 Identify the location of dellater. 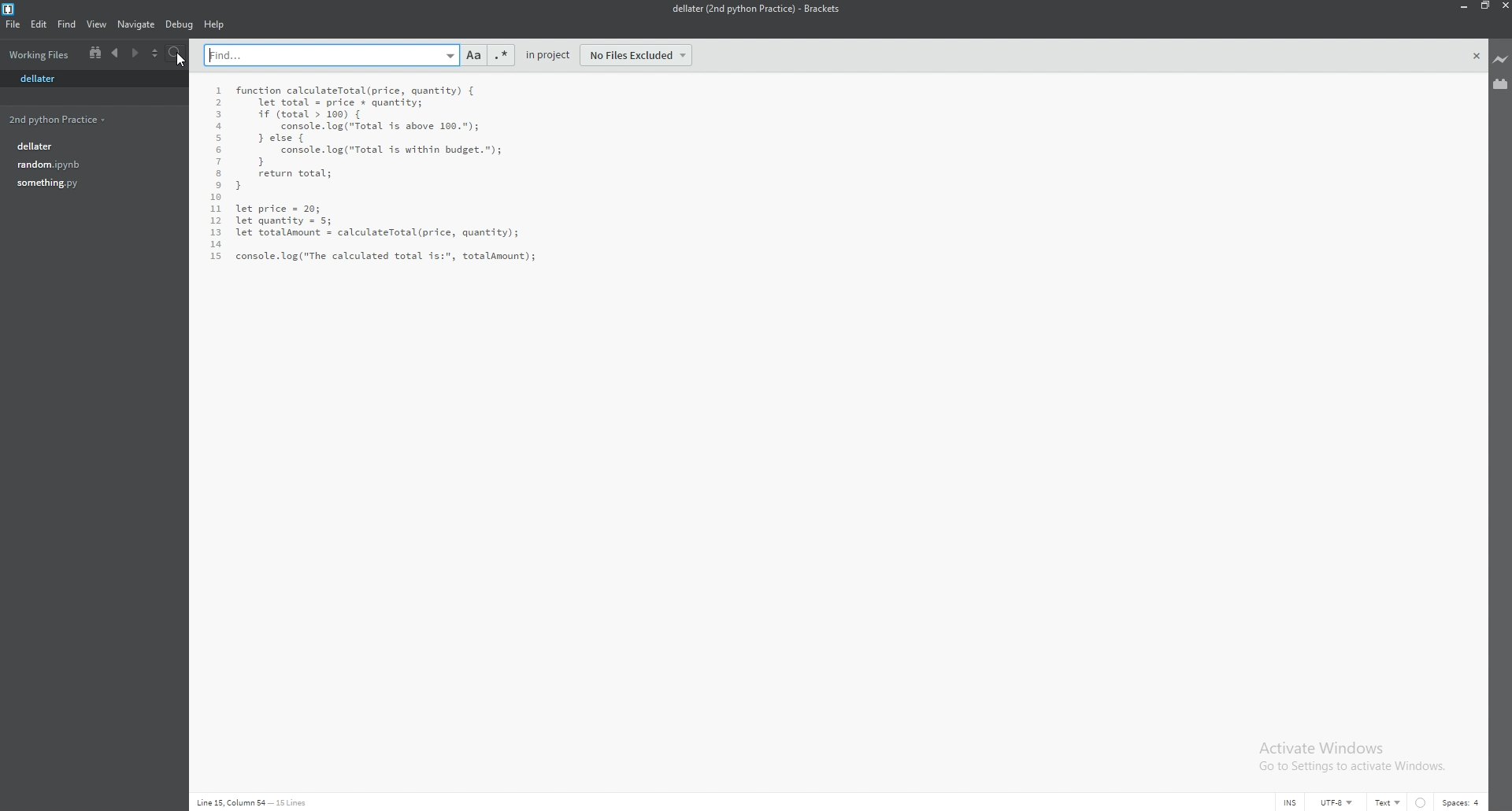
(91, 146).